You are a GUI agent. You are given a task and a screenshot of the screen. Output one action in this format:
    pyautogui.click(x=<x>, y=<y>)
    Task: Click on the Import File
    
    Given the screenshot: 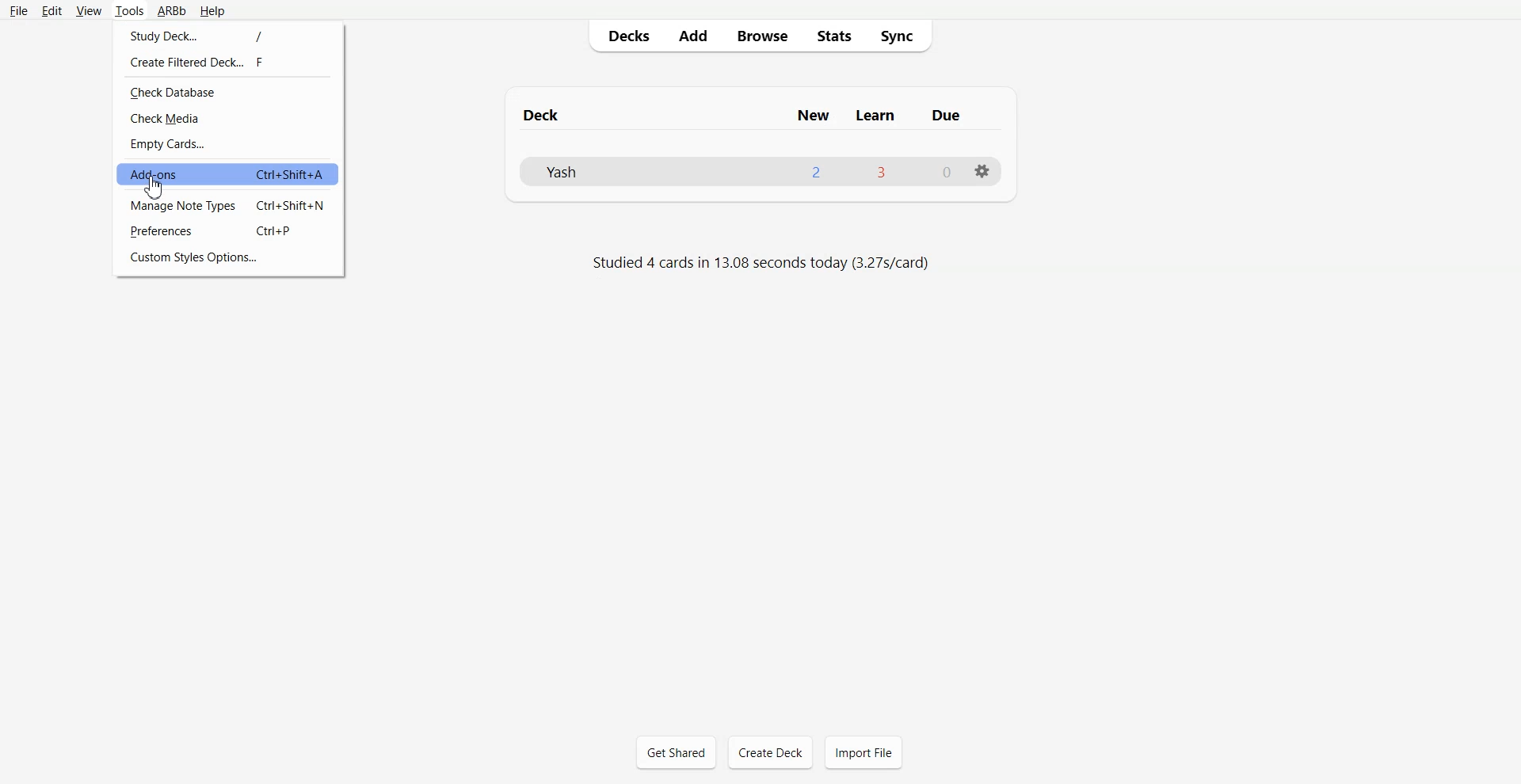 What is the action you would take?
    pyautogui.click(x=863, y=752)
    